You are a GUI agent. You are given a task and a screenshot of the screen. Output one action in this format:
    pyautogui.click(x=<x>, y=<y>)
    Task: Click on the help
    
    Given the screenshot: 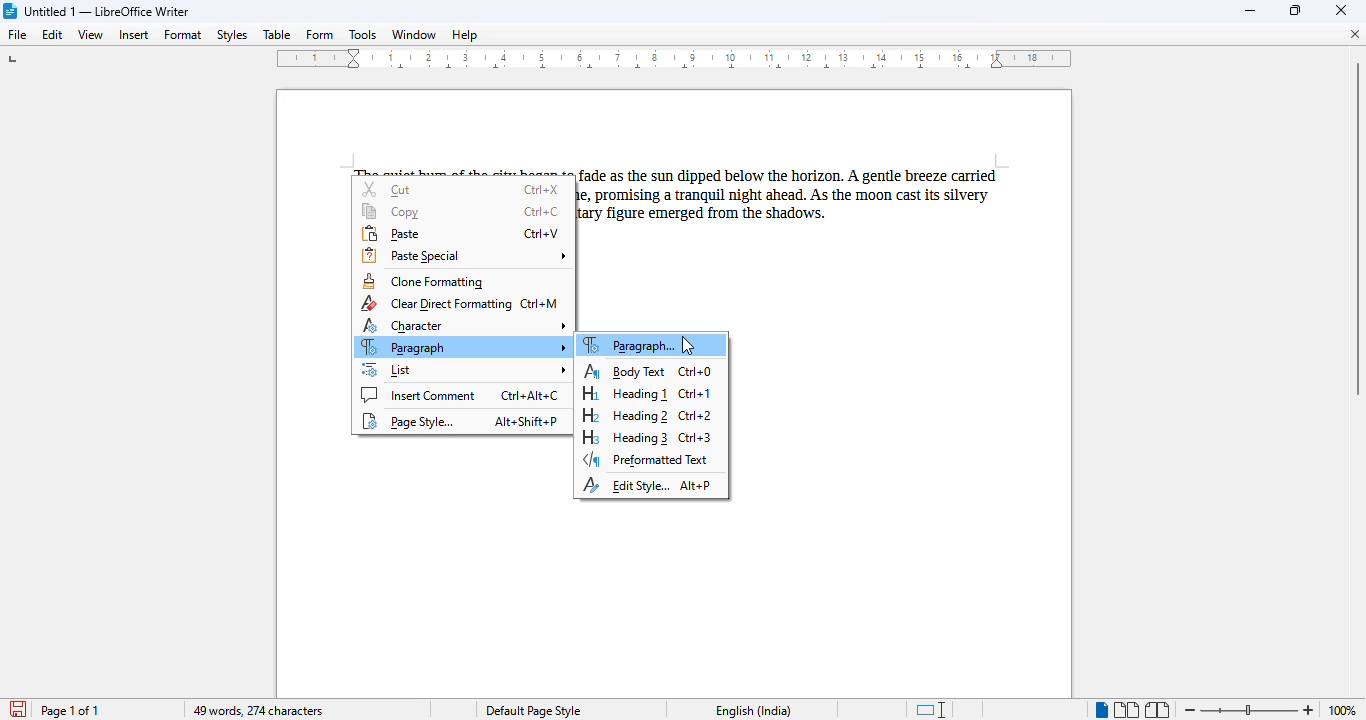 What is the action you would take?
    pyautogui.click(x=466, y=35)
    